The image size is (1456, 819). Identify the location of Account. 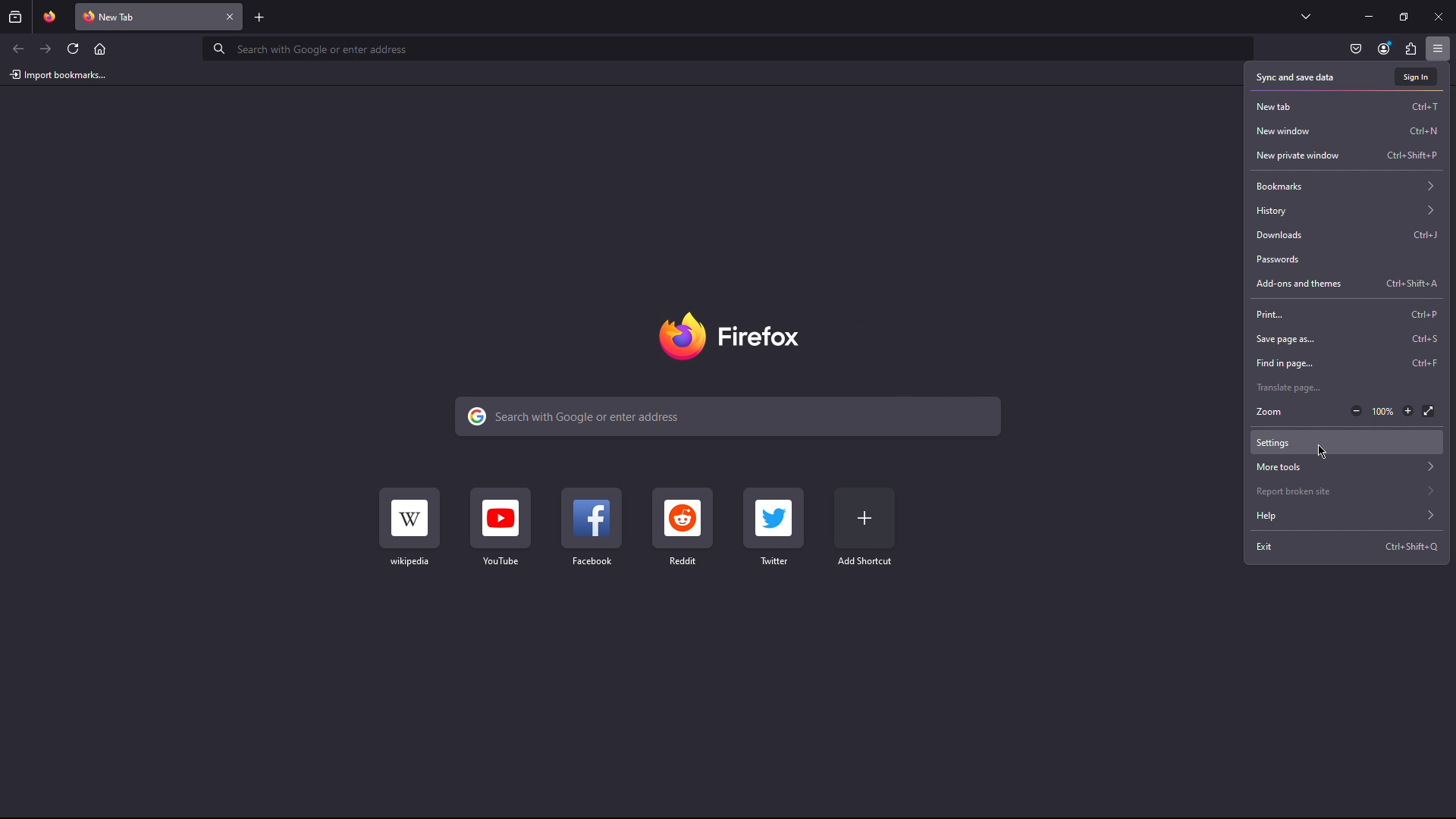
(1384, 50).